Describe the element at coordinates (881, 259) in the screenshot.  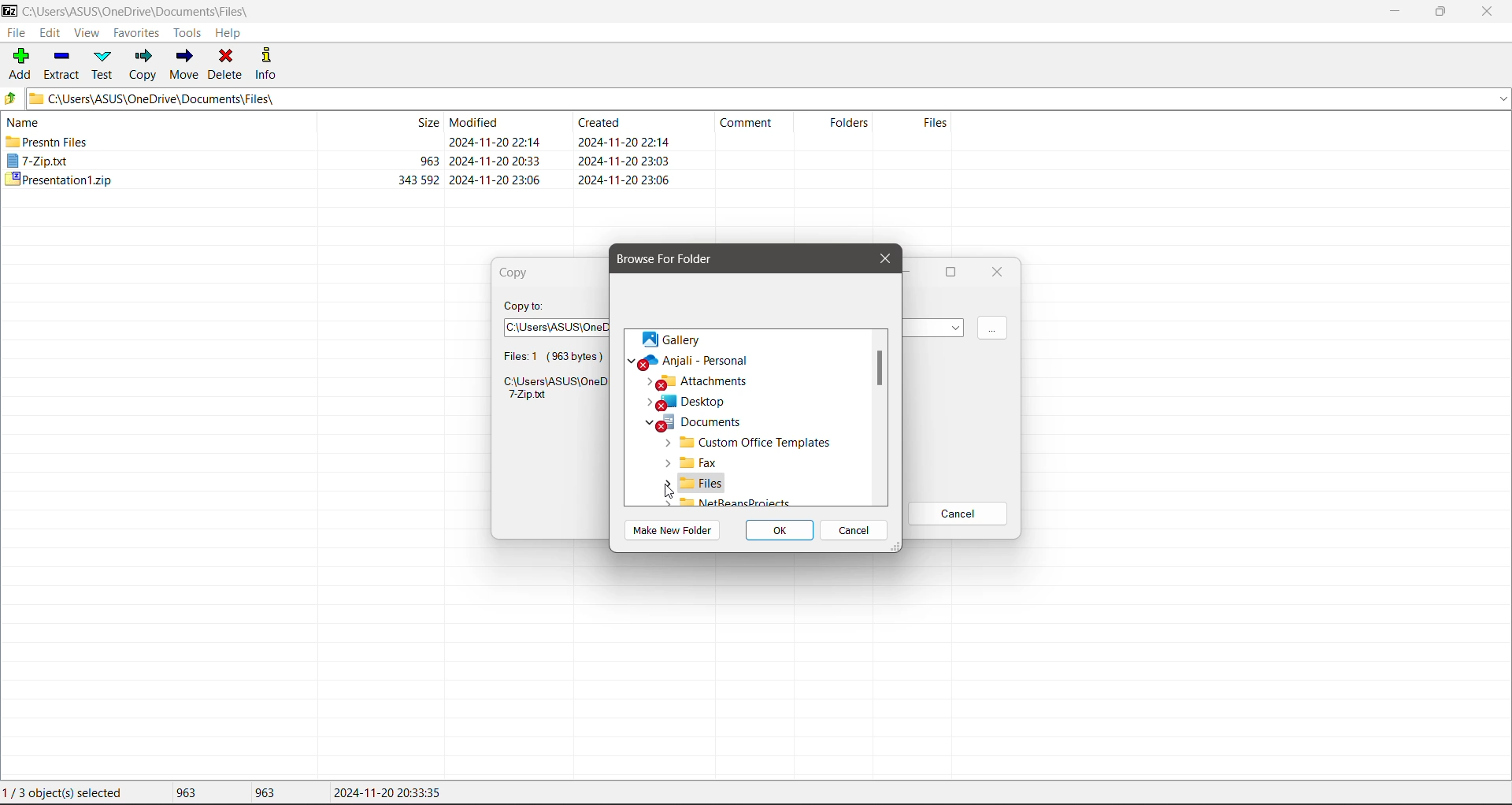
I see `Close` at that location.